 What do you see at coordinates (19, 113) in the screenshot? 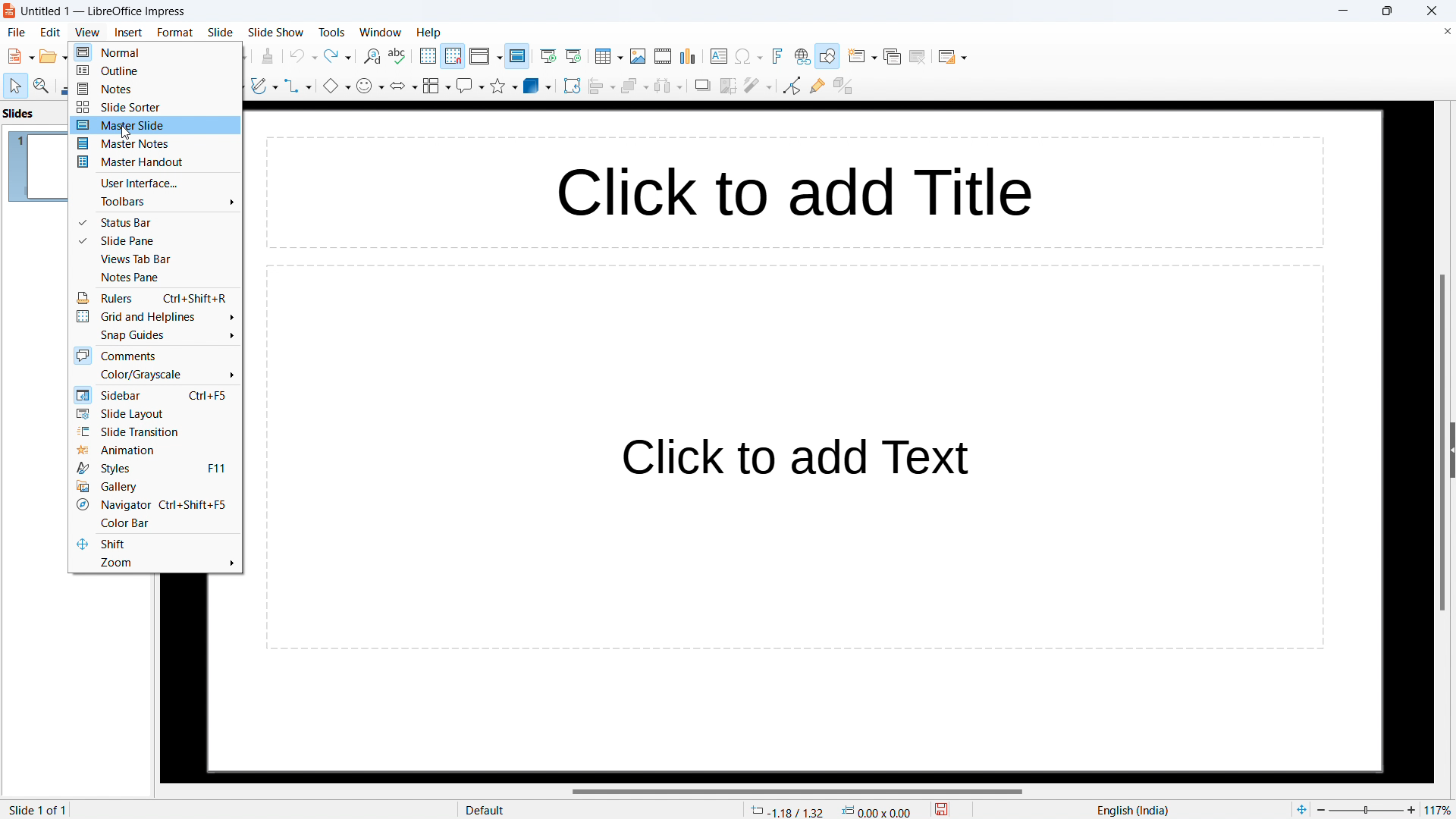
I see `slides` at bounding box center [19, 113].